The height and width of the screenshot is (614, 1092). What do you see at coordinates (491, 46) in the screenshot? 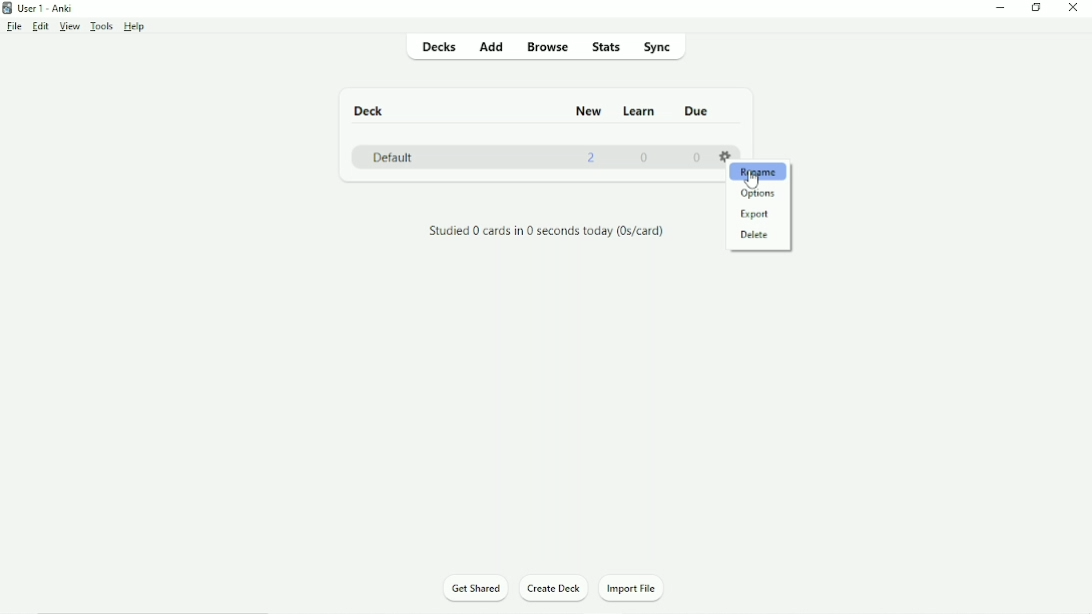
I see `Add` at bounding box center [491, 46].